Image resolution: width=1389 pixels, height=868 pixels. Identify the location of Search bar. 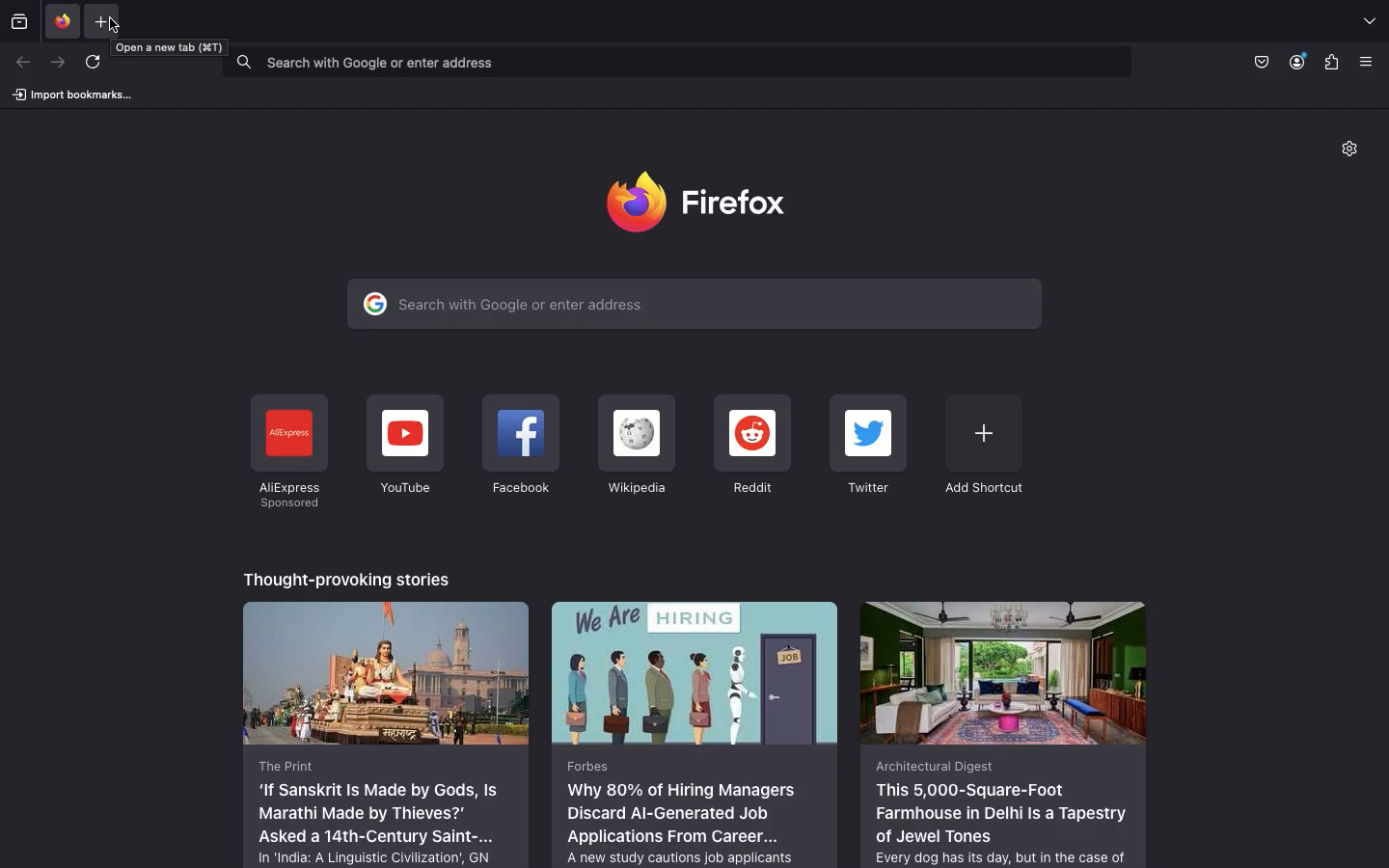
(694, 304).